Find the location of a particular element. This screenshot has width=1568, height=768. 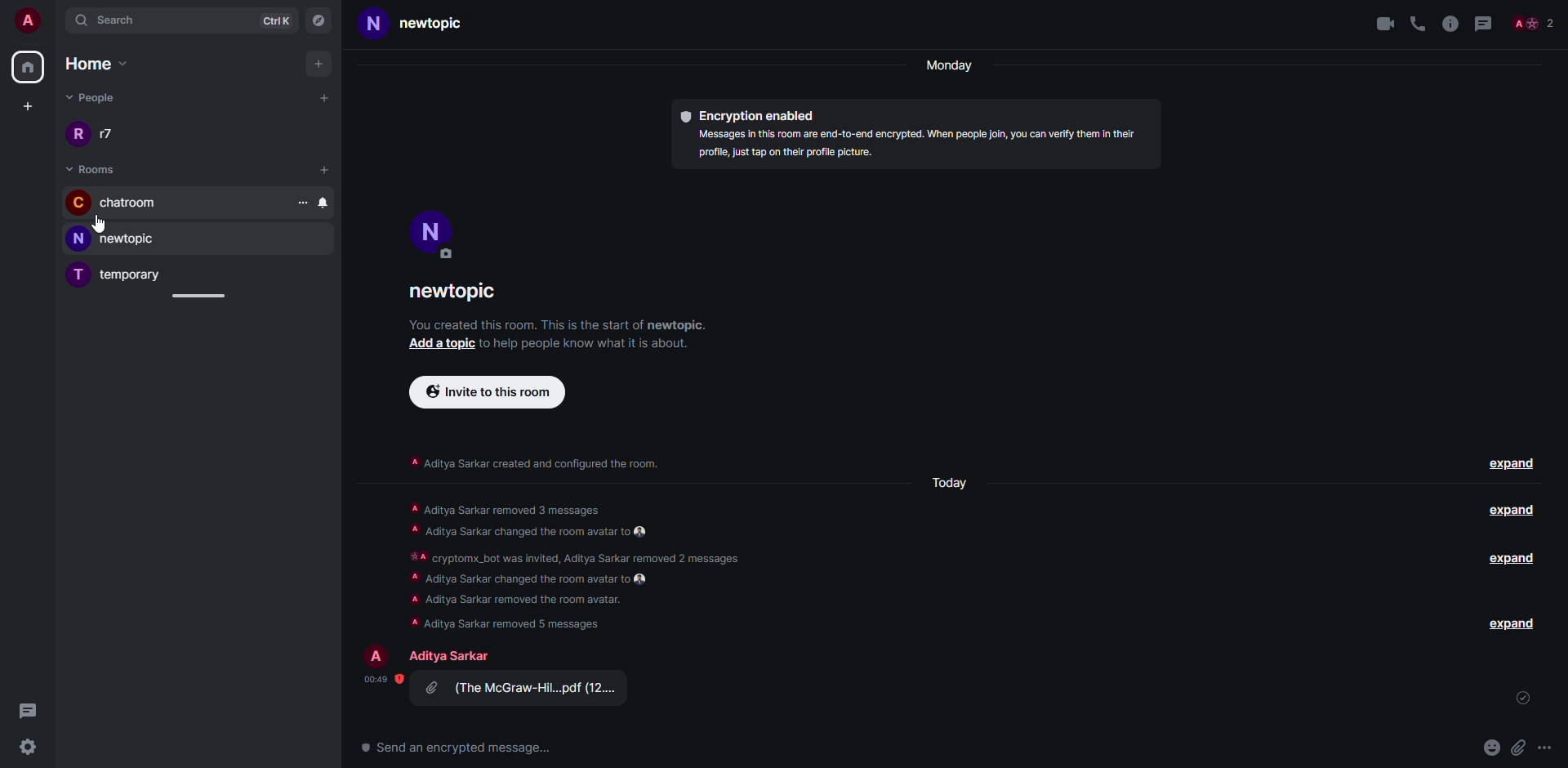

adjust is located at coordinates (194, 294).